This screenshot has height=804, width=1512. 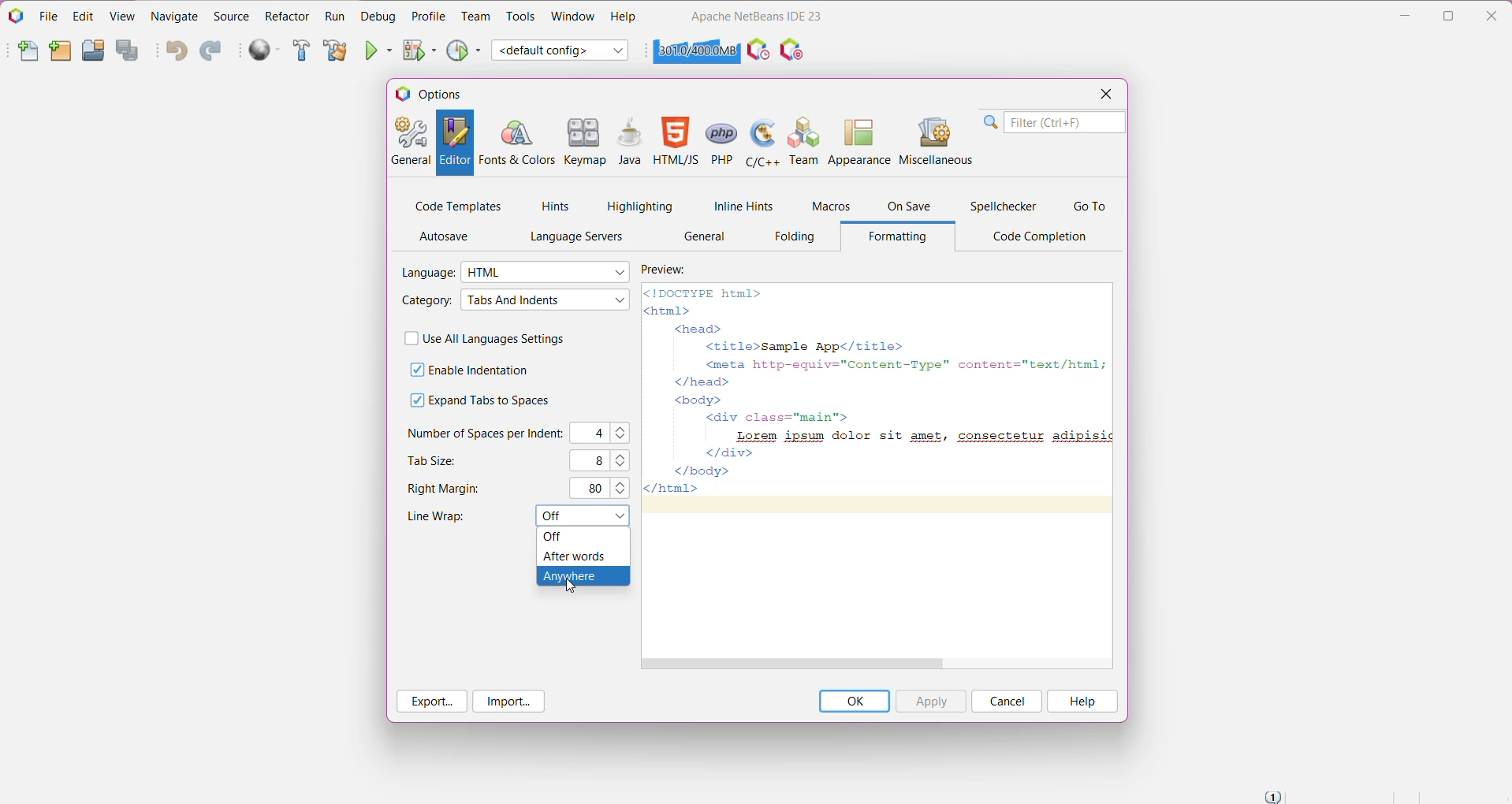 I want to click on OK, so click(x=854, y=701).